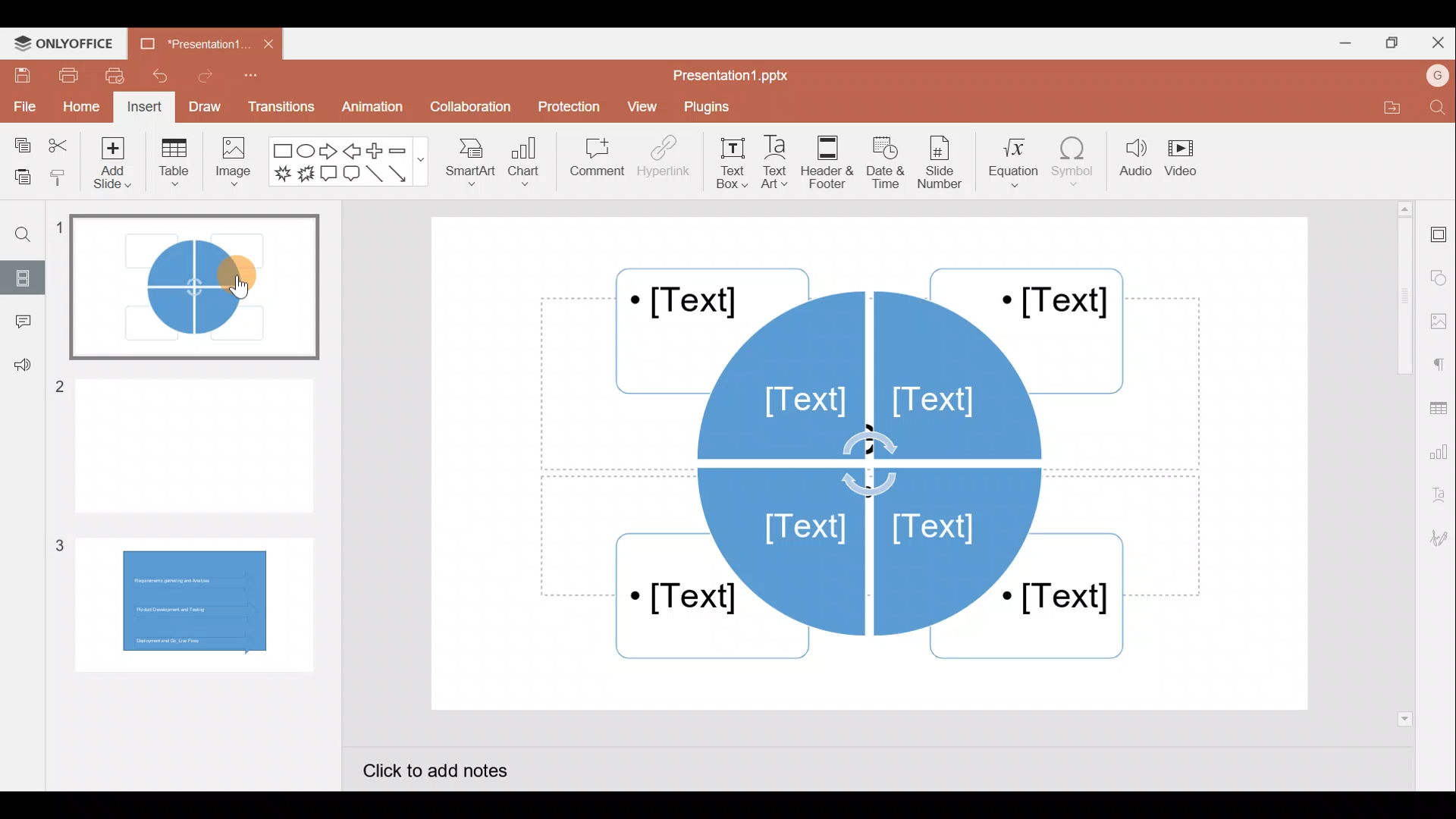 The image size is (1456, 819). Describe the element at coordinates (528, 166) in the screenshot. I see `Chart` at that location.